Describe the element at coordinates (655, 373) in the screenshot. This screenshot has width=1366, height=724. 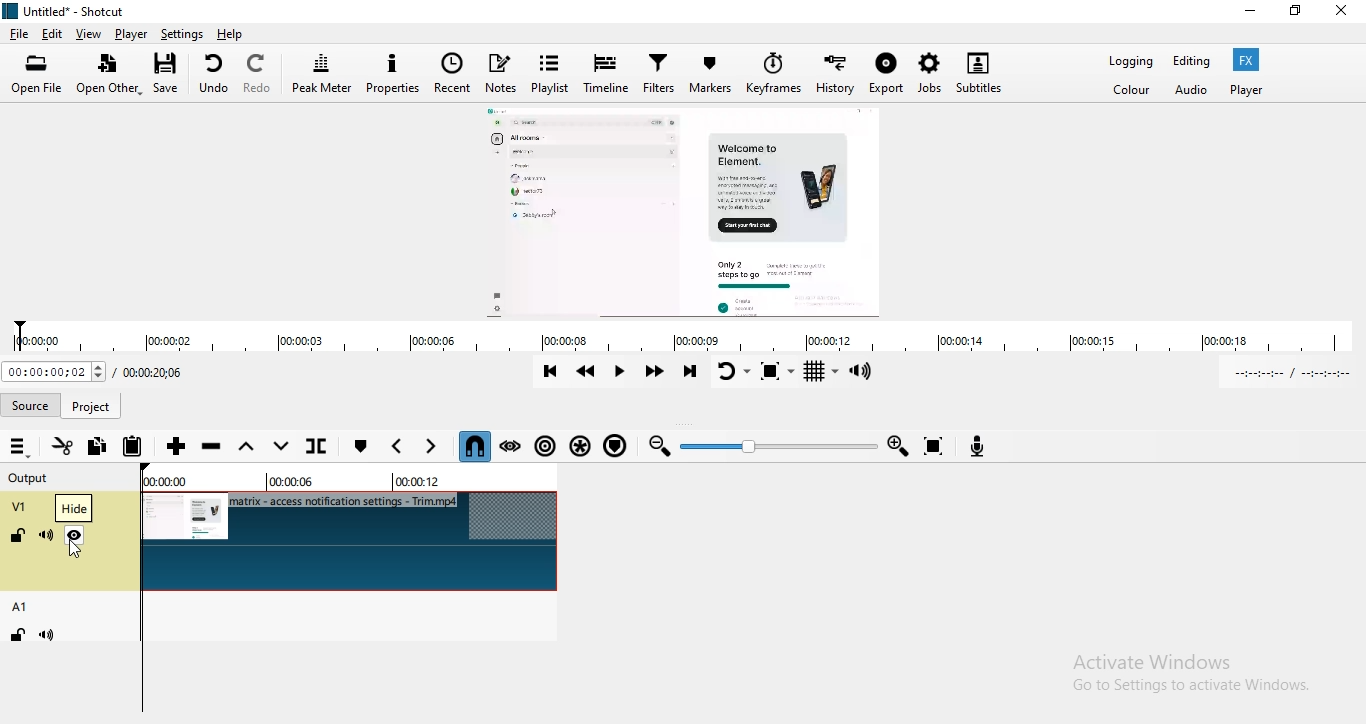
I see `Play quickly forward` at that location.